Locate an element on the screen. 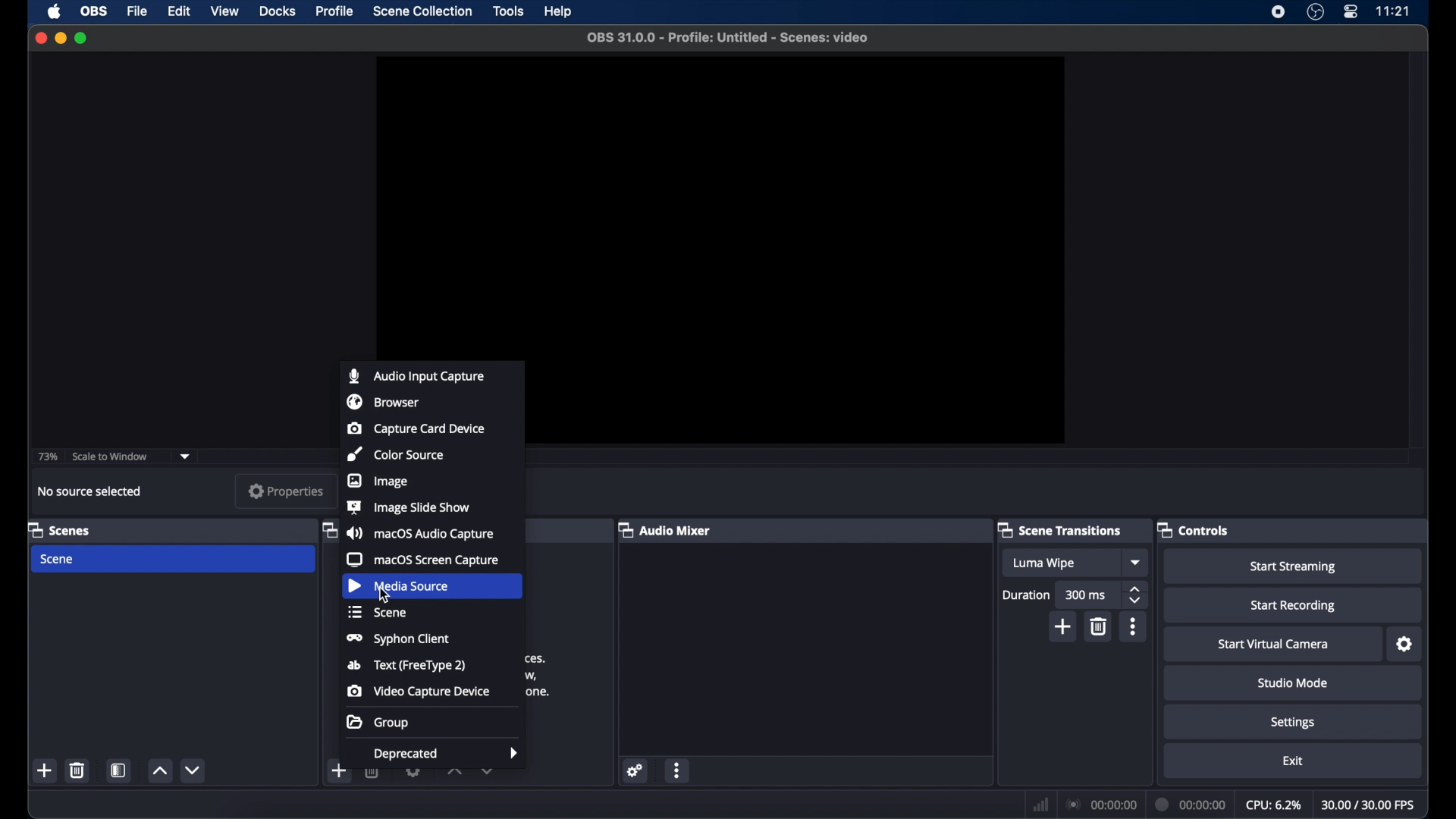  300 ms is located at coordinates (1086, 595).